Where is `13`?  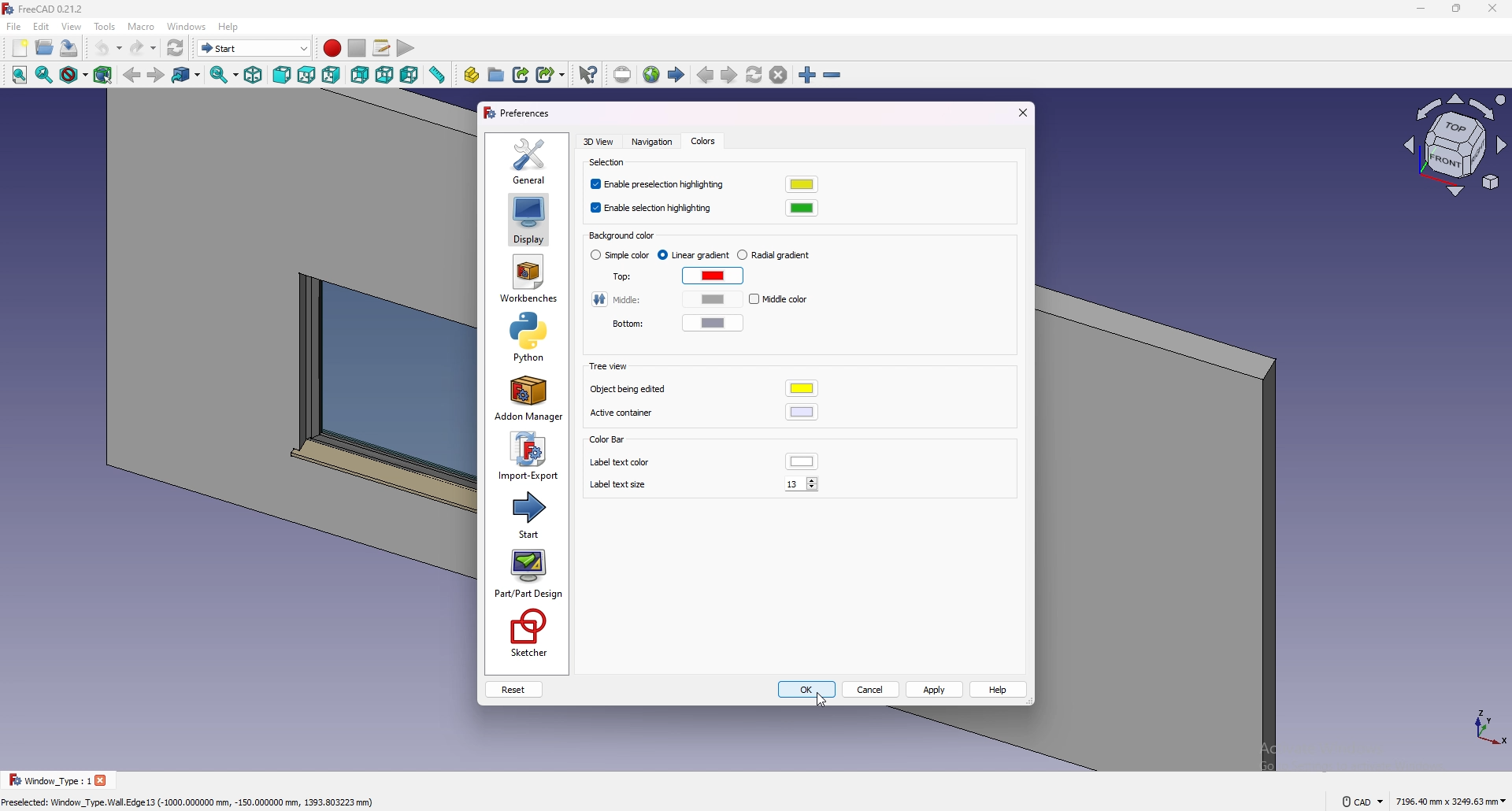
13 is located at coordinates (803, 483).